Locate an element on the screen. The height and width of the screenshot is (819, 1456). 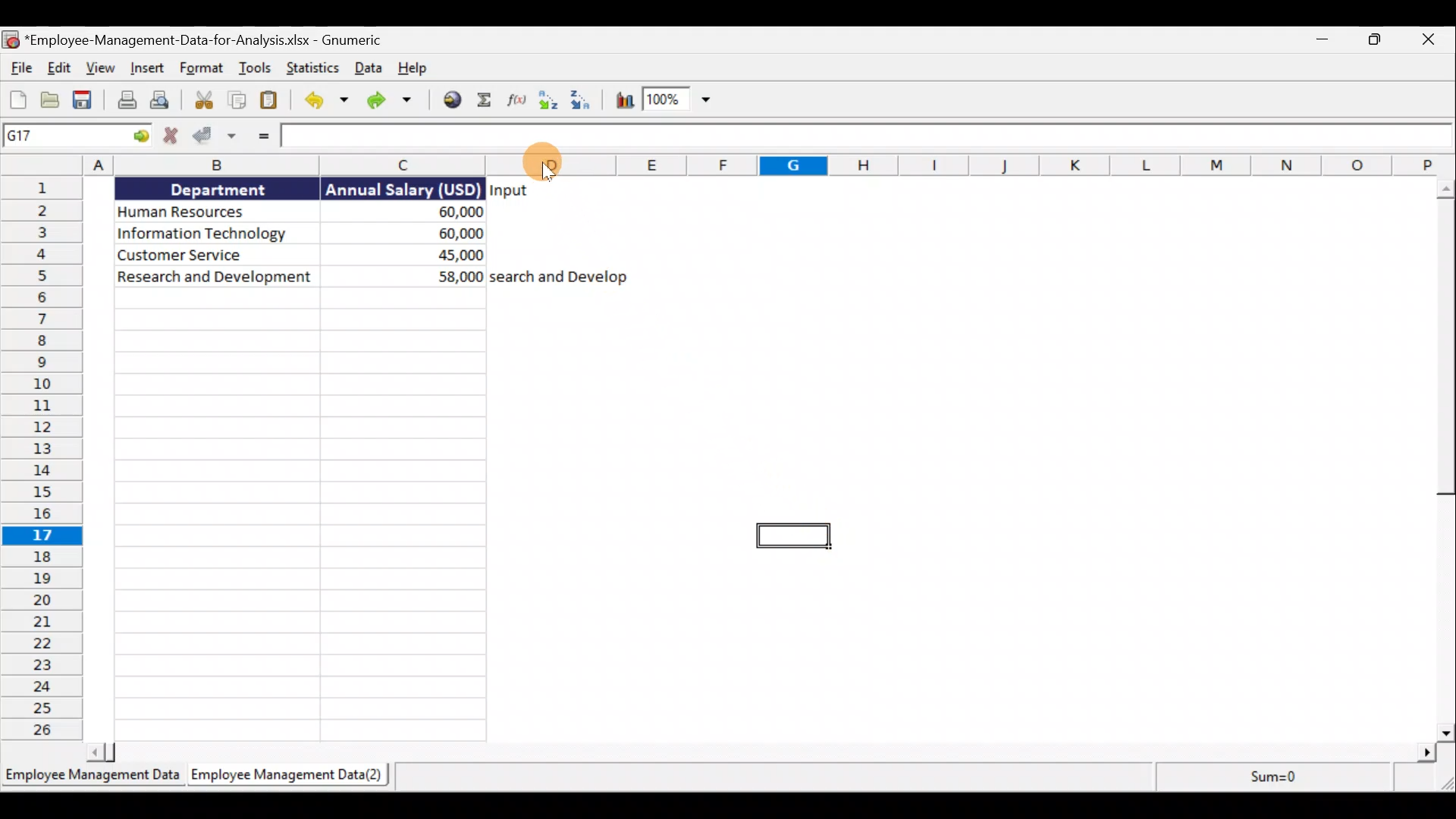
Annual salary (USD) column is located at coordinates (401, 457).